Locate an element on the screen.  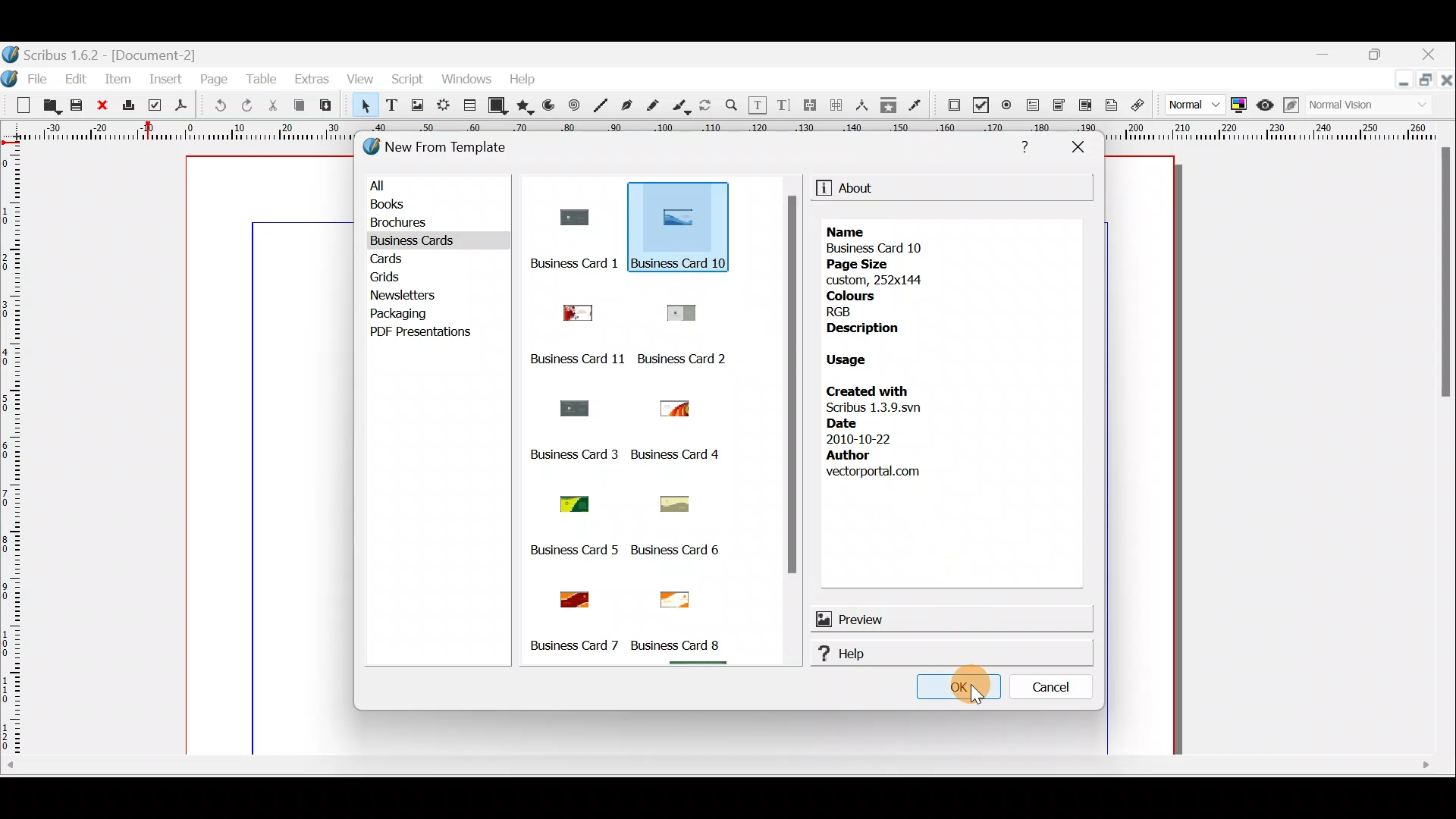
About is located at coordinates (861, 188).